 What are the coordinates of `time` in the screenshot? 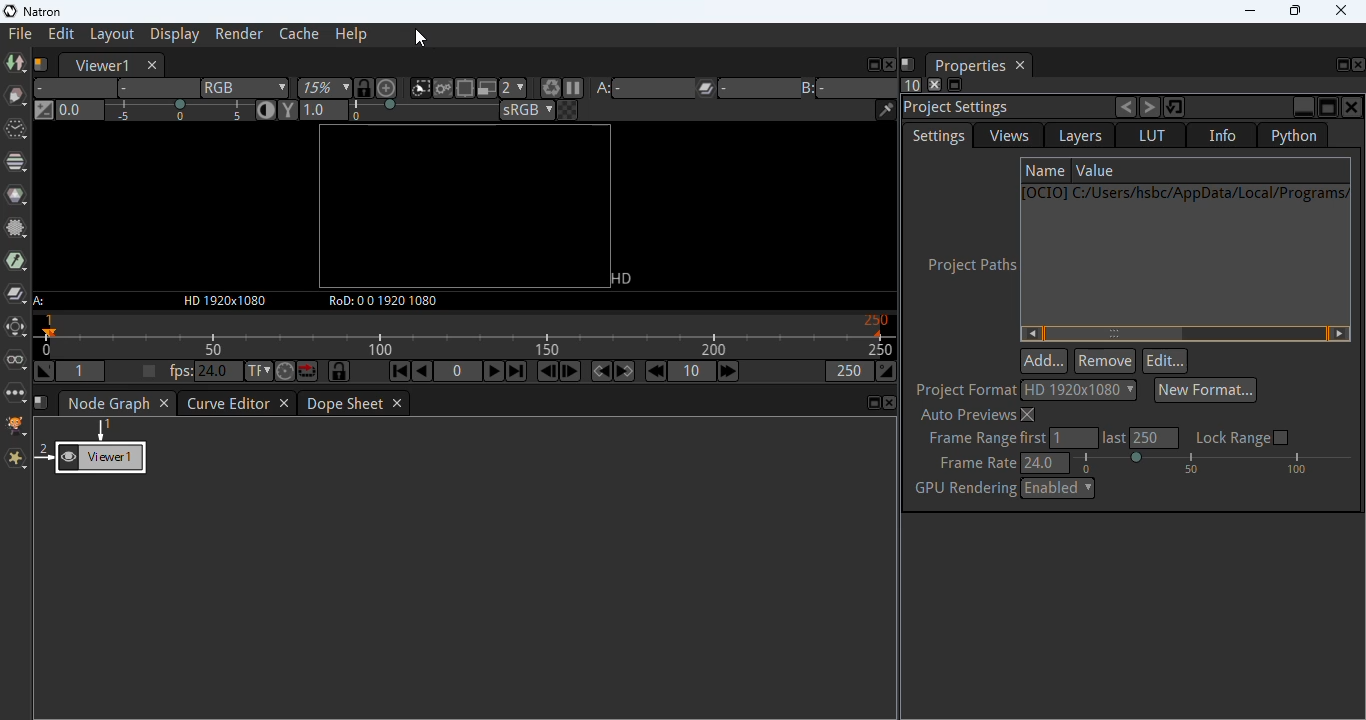 It's located at (16, 129).